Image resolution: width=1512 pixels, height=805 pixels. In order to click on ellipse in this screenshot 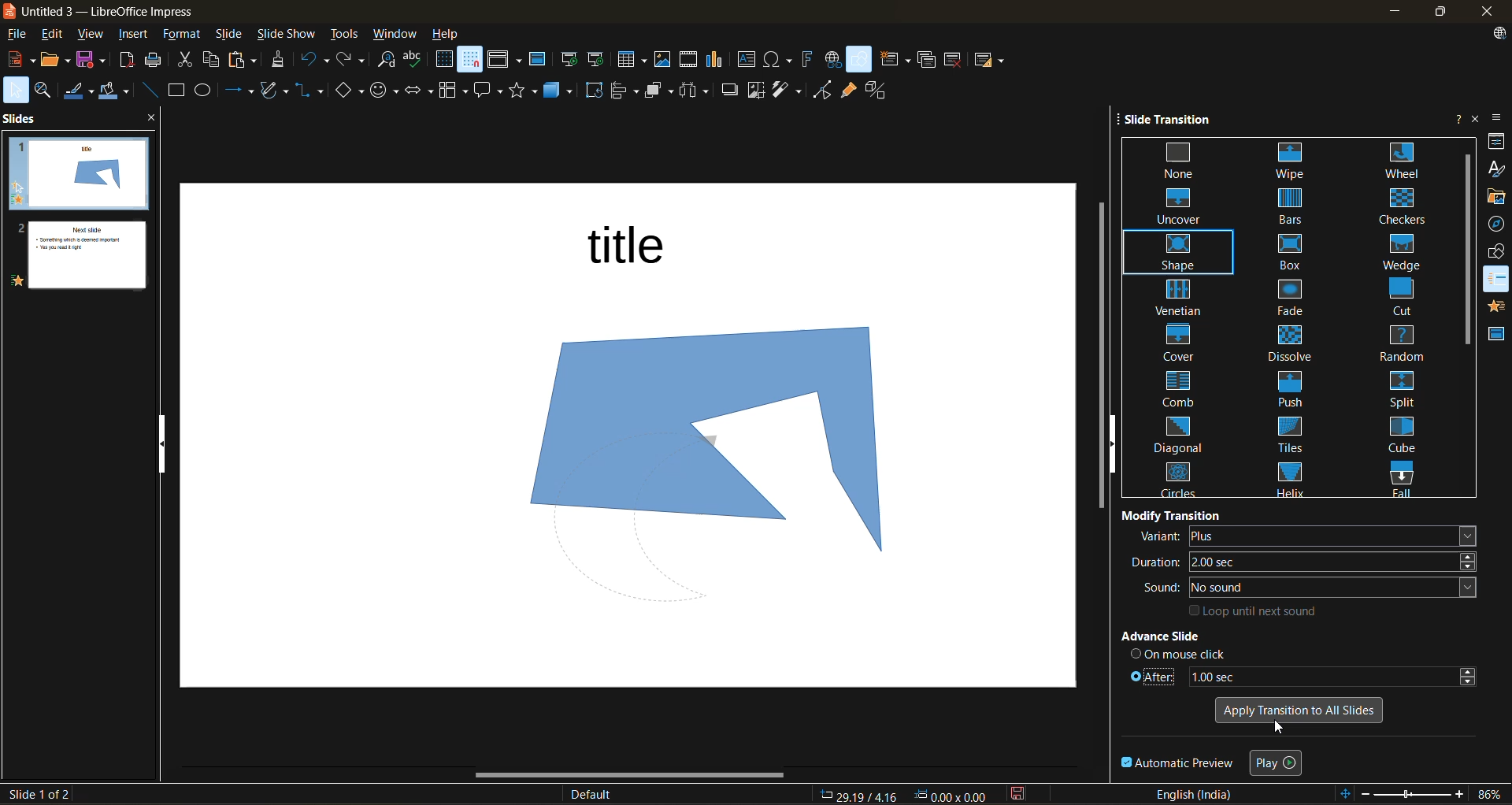, I will do `click(208, 91)`.